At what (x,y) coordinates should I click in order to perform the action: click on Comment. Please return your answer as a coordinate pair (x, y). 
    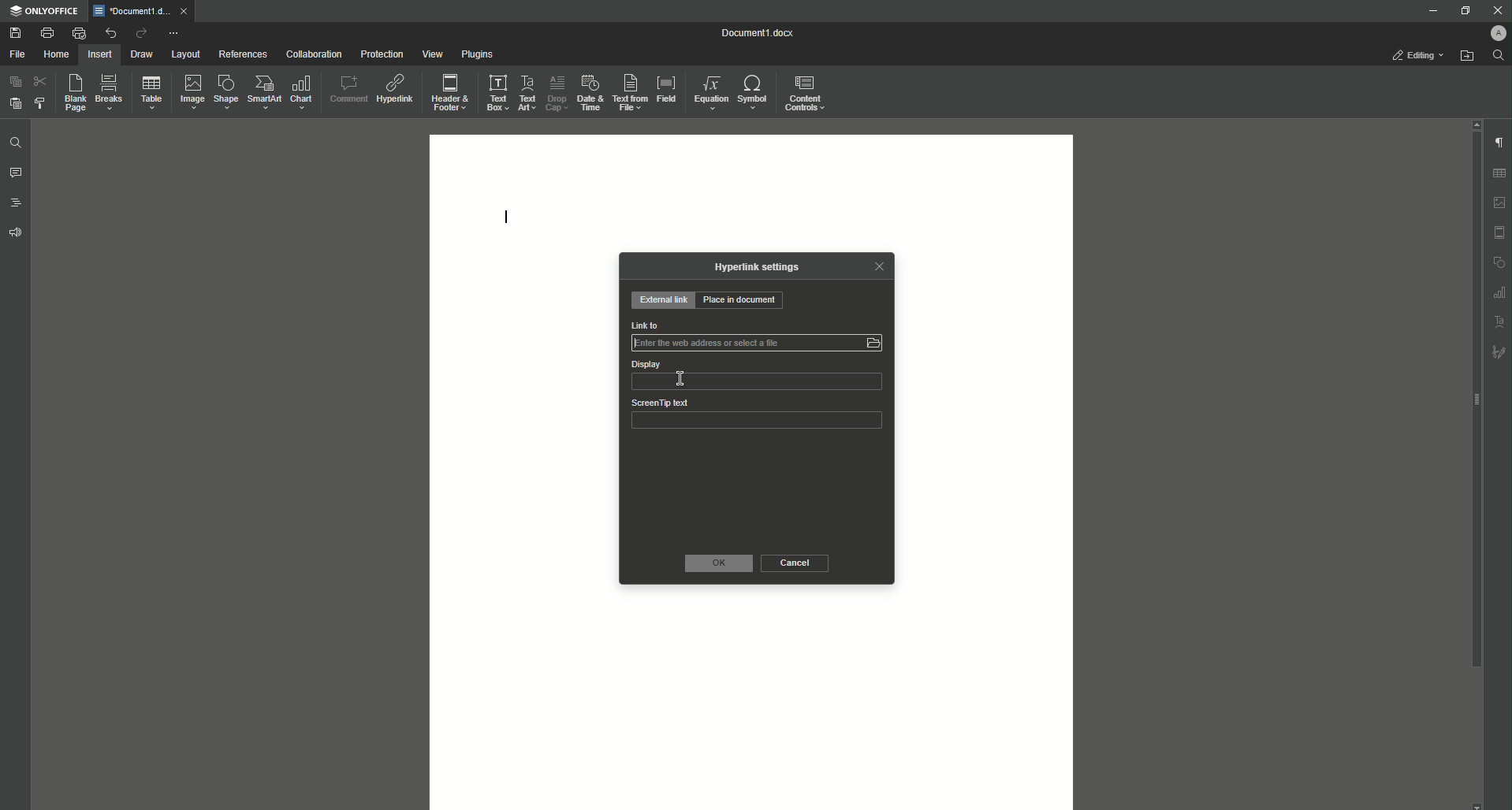
    Looking at the image, I should click on (346, 91).